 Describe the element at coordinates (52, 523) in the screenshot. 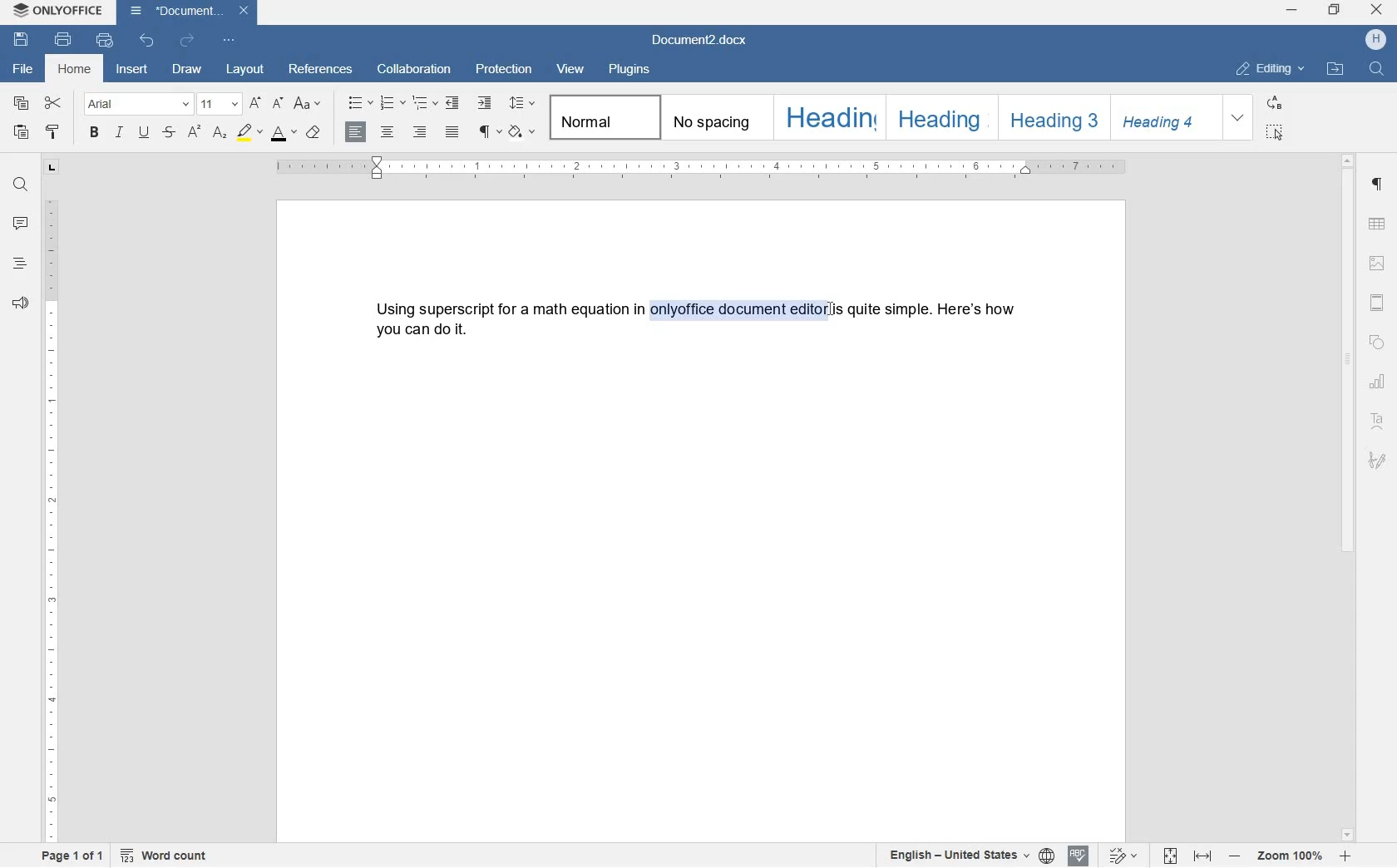

I see `ruler` at that location.